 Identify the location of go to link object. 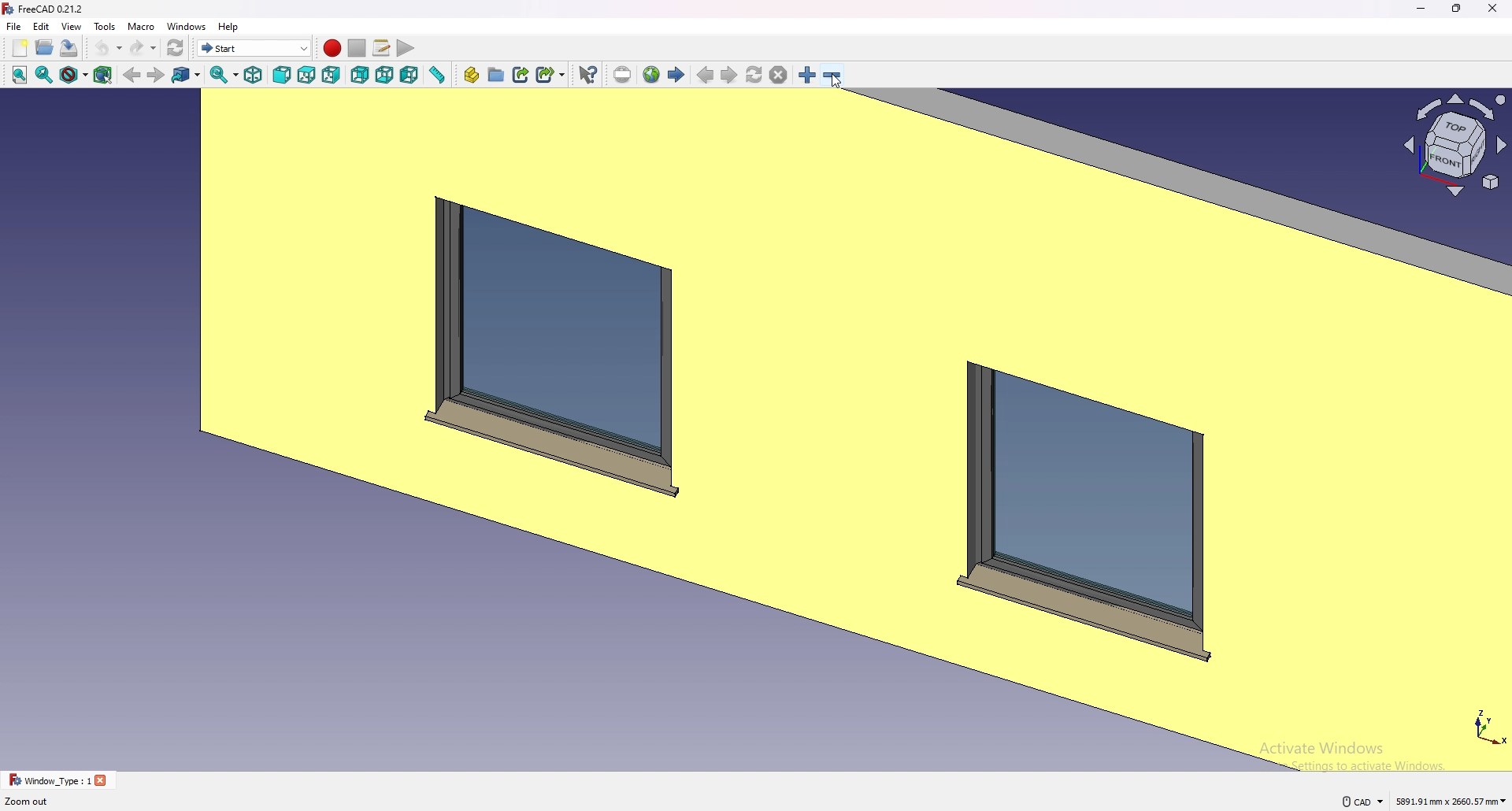
(186, 74).